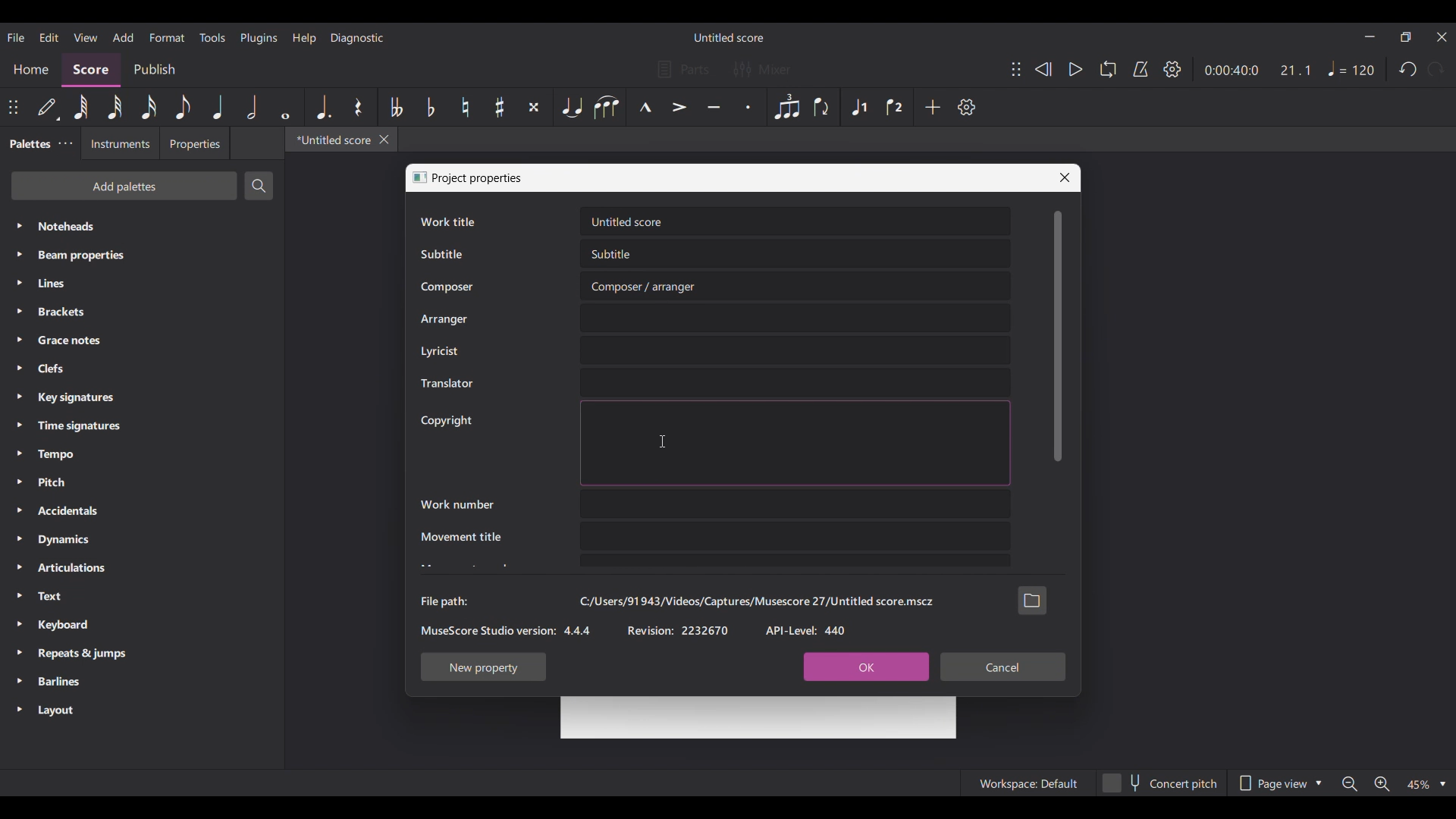 The height and width of the screenshot is (819, 1456). Describe the element at coordinates (1065, 177) in the screenshot. I see `Close` at that location.